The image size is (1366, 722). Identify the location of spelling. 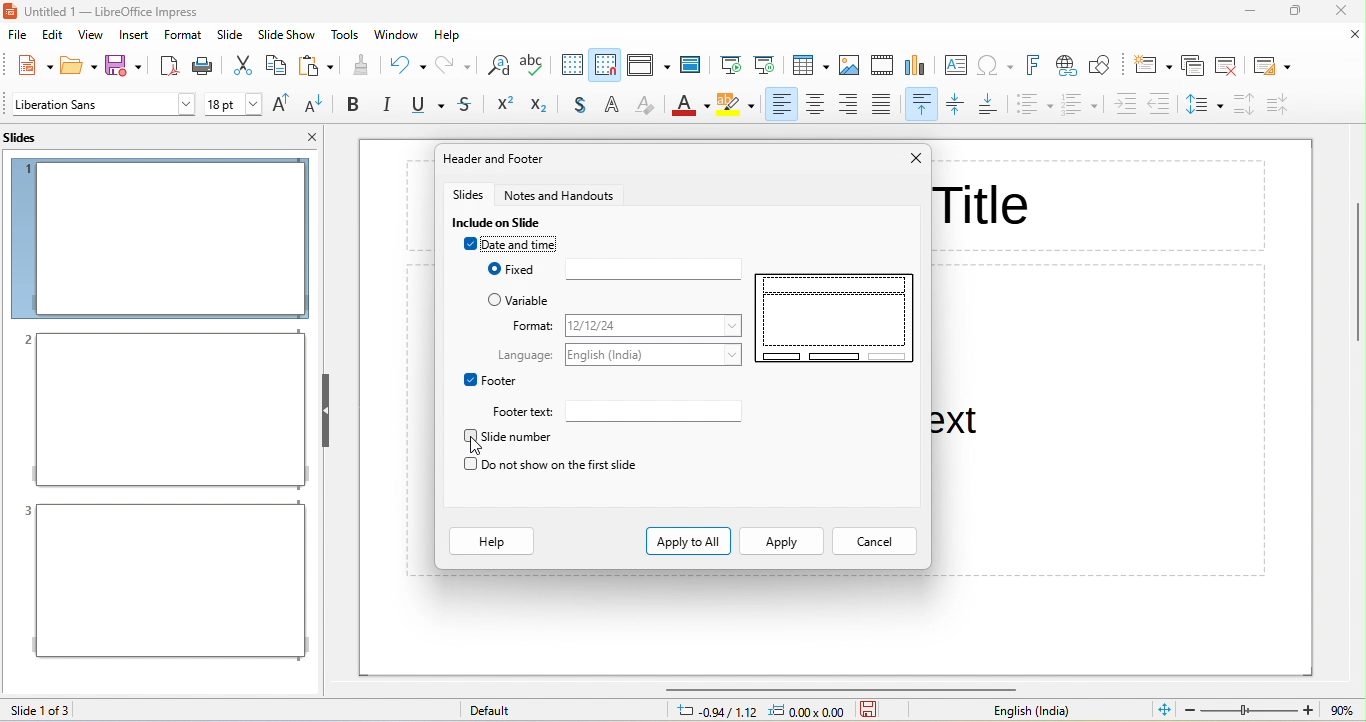
(534, 67).